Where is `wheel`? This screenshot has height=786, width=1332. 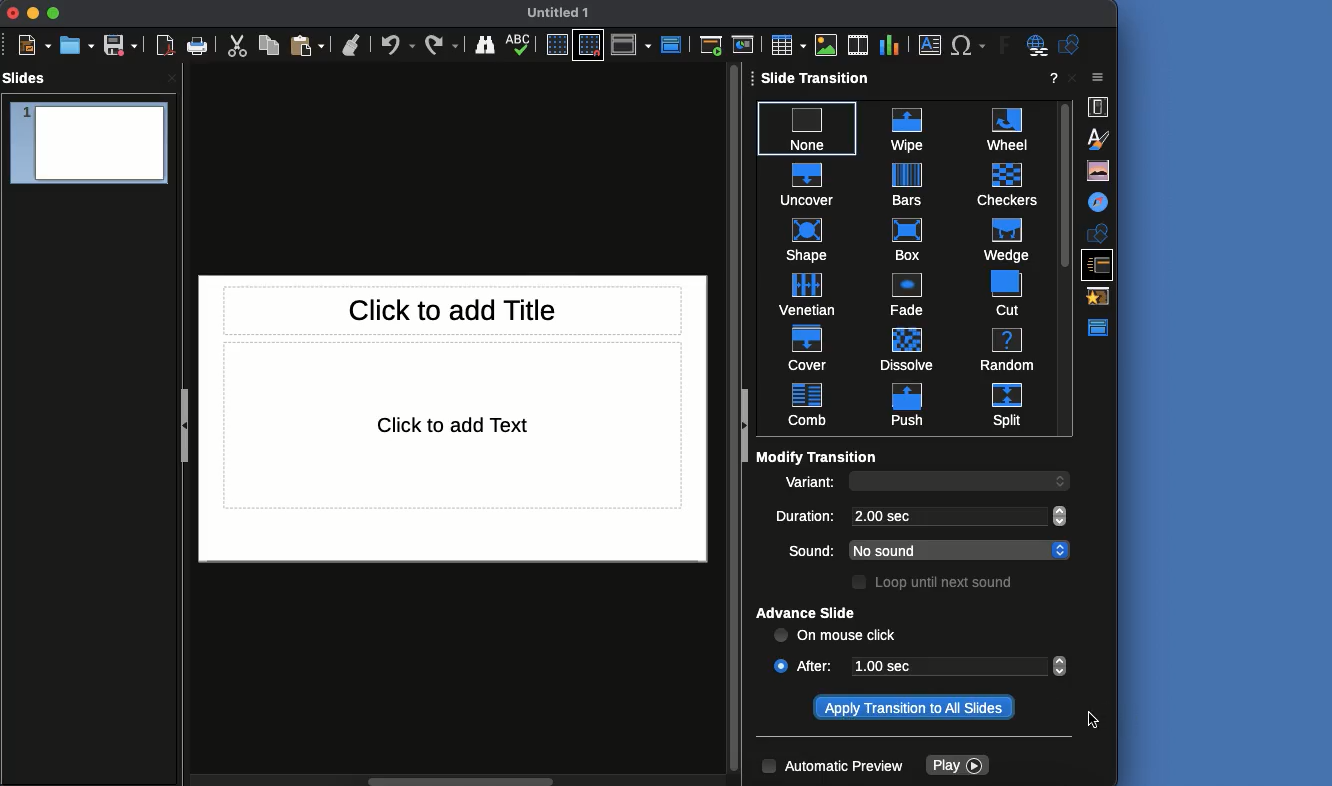 wheel is located at coordinates (1000, 127).